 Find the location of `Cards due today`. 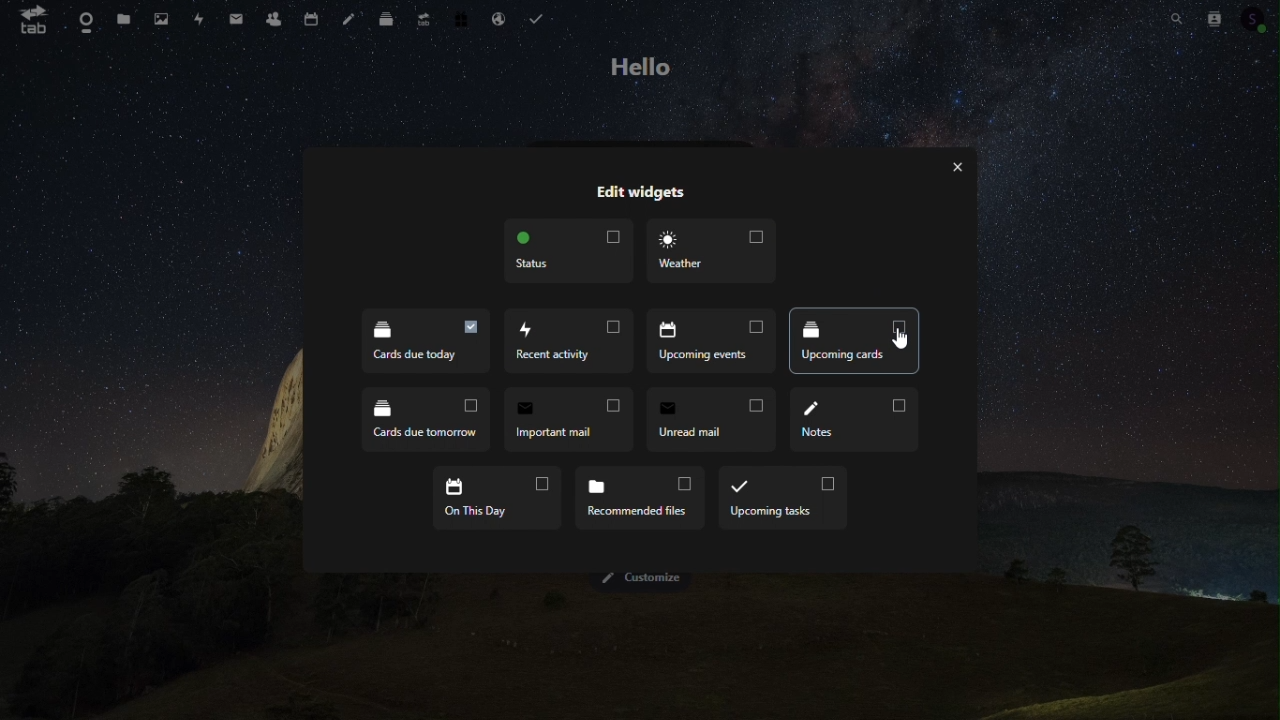

Cards due today is located at coordinates (426, 342).